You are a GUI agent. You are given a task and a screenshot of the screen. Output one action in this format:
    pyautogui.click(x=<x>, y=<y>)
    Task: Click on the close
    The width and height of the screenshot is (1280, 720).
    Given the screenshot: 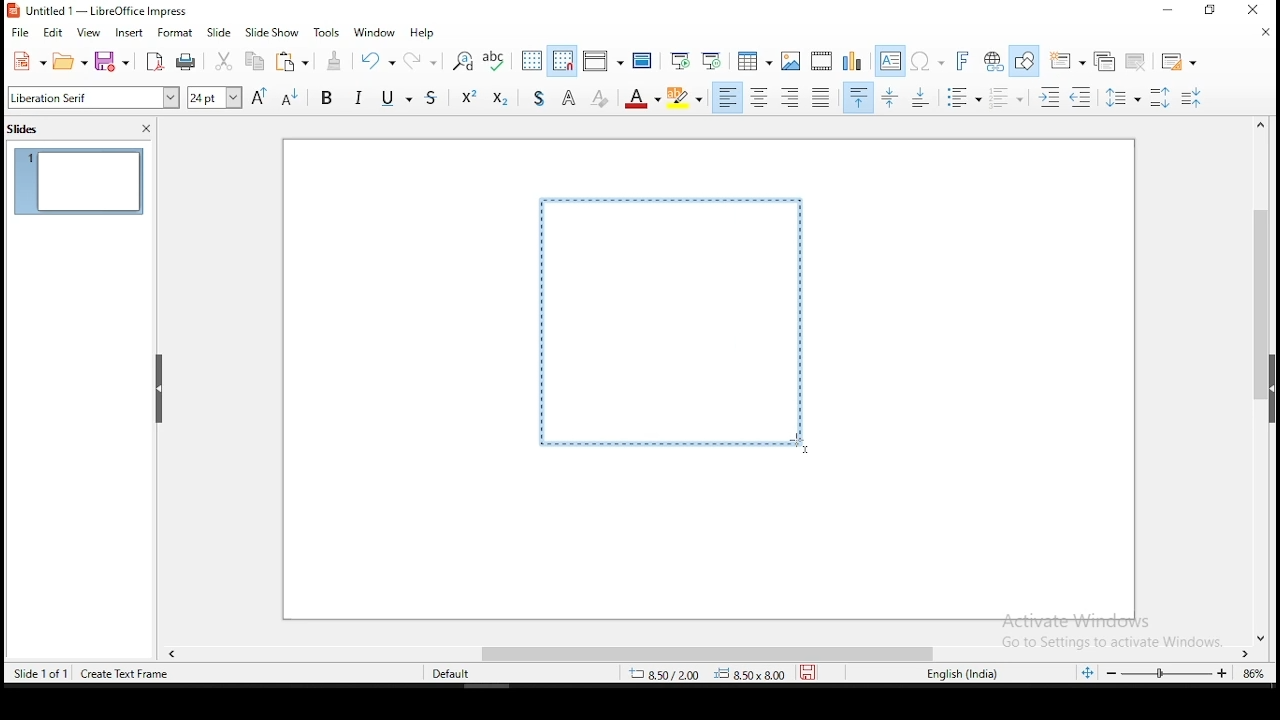 What is the action you would take?
    pyautogui.click(x=1260, y=34)
    